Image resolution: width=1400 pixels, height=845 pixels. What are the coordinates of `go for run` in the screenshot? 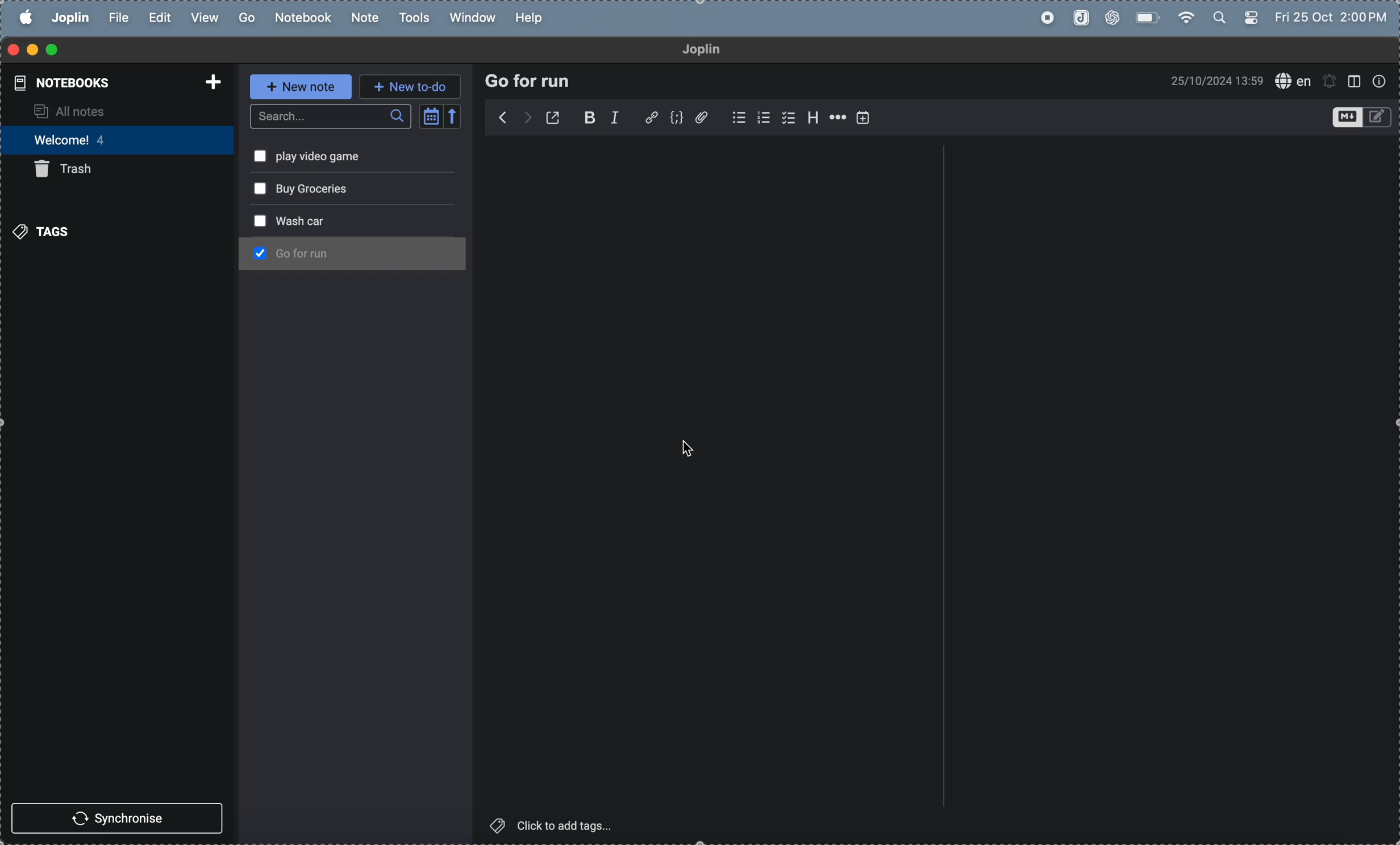 It's located at (365, 157).